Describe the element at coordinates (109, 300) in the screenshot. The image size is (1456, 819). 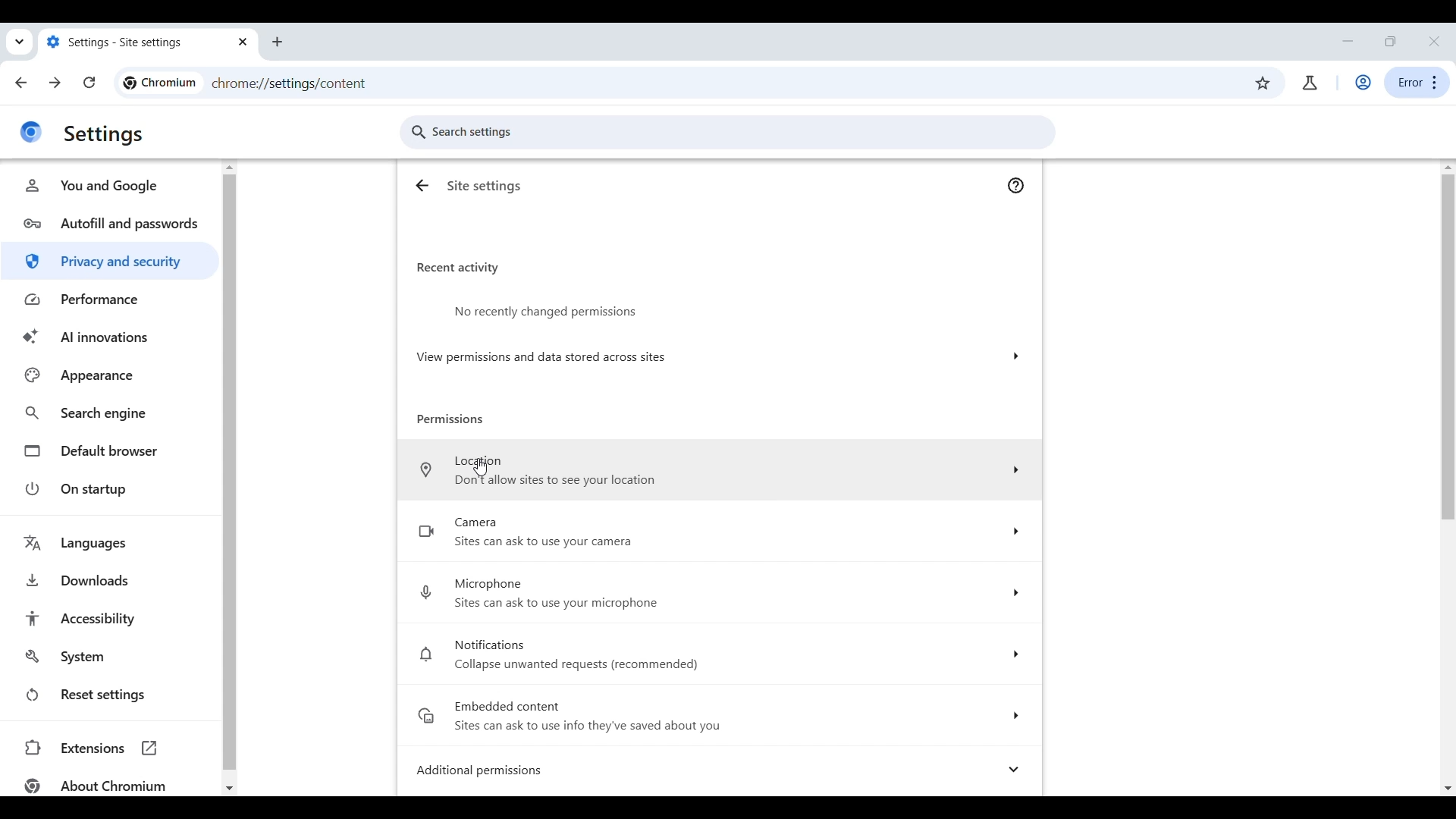
I see `Performance` at that location.